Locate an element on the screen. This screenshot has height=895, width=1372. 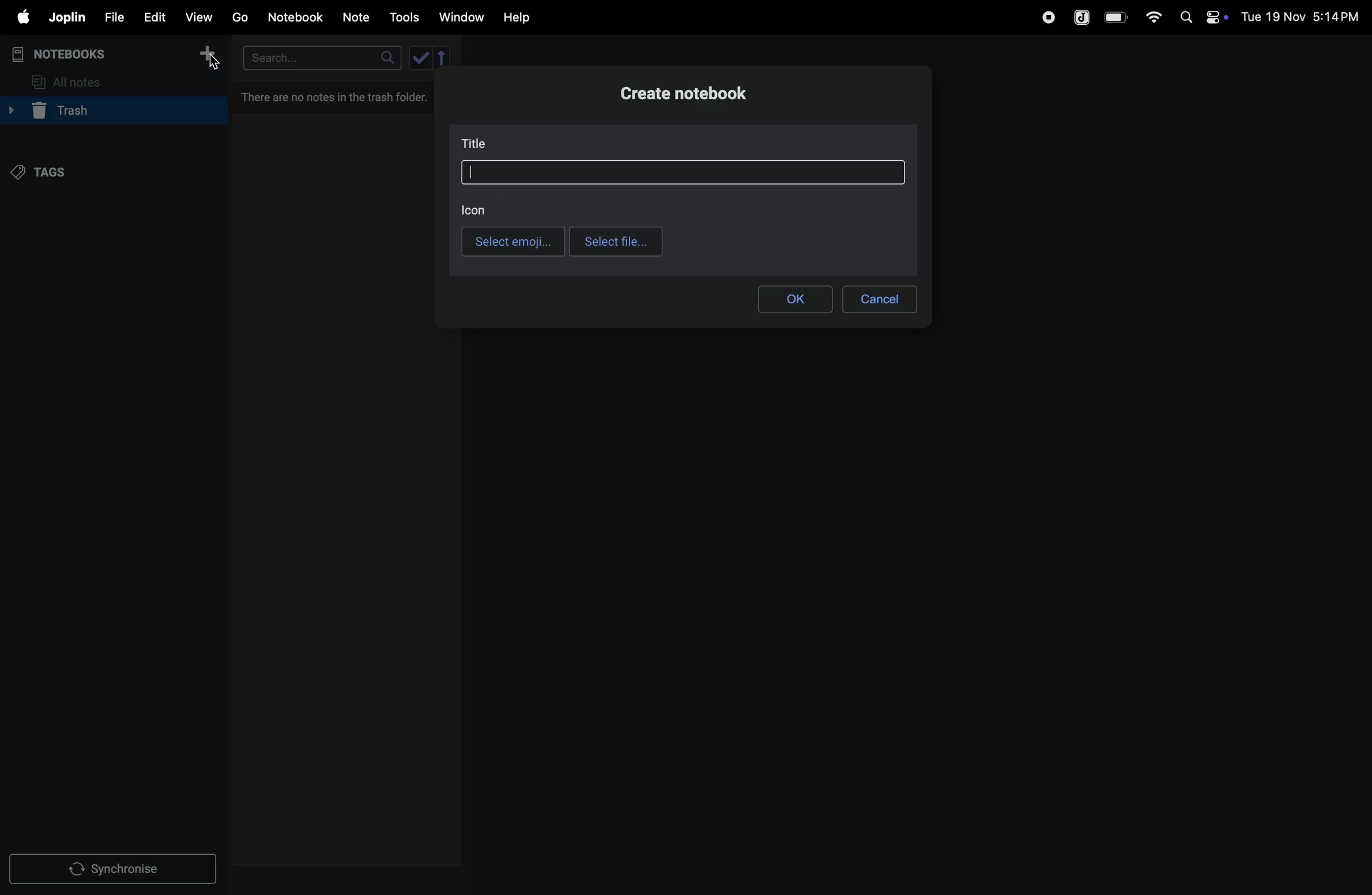
search is located at coordinates (323, 57).